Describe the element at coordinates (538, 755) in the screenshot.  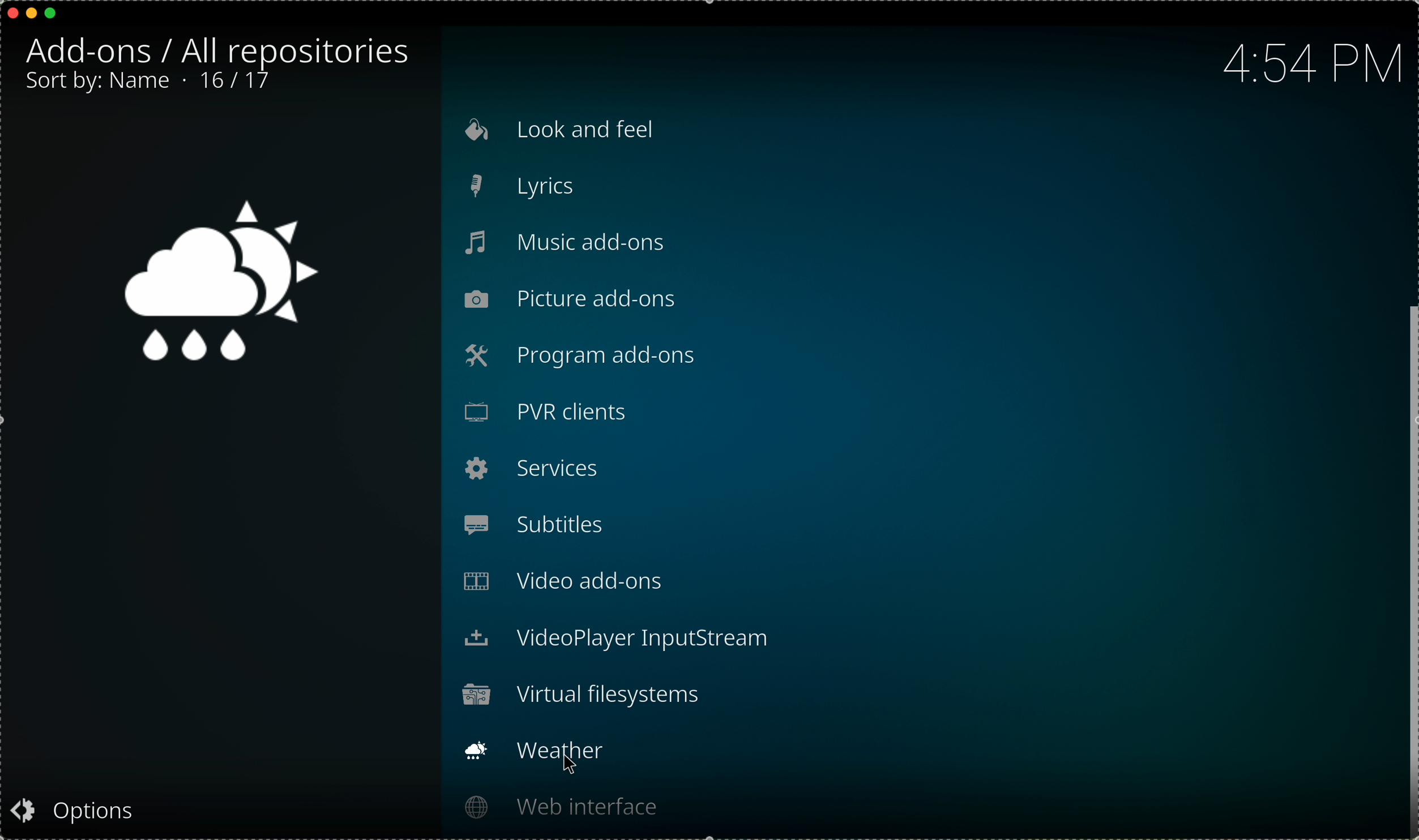
I see `click on weather` at that location.